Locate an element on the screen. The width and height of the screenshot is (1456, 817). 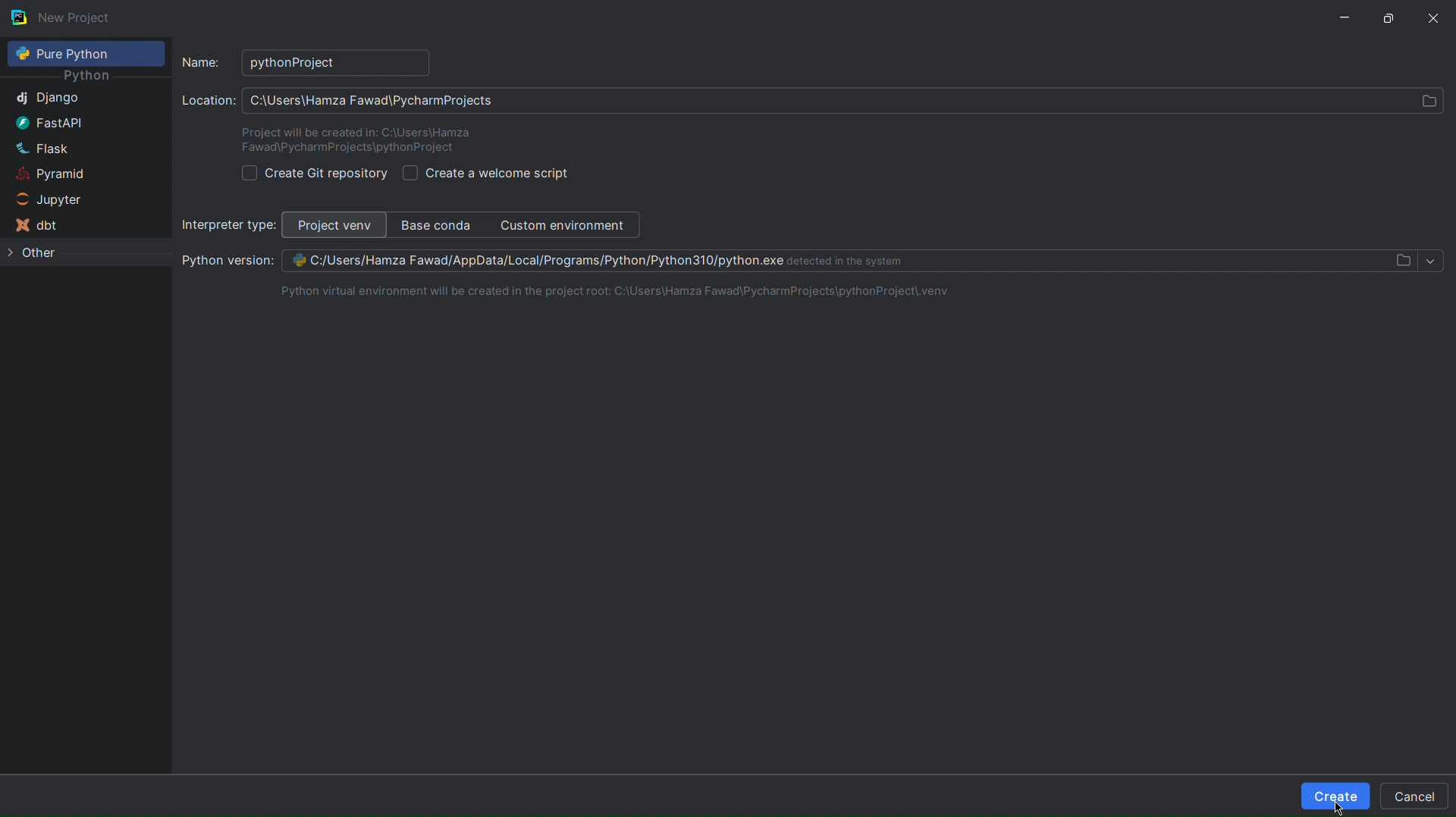
Folder is located at coordinates (1402, 261).